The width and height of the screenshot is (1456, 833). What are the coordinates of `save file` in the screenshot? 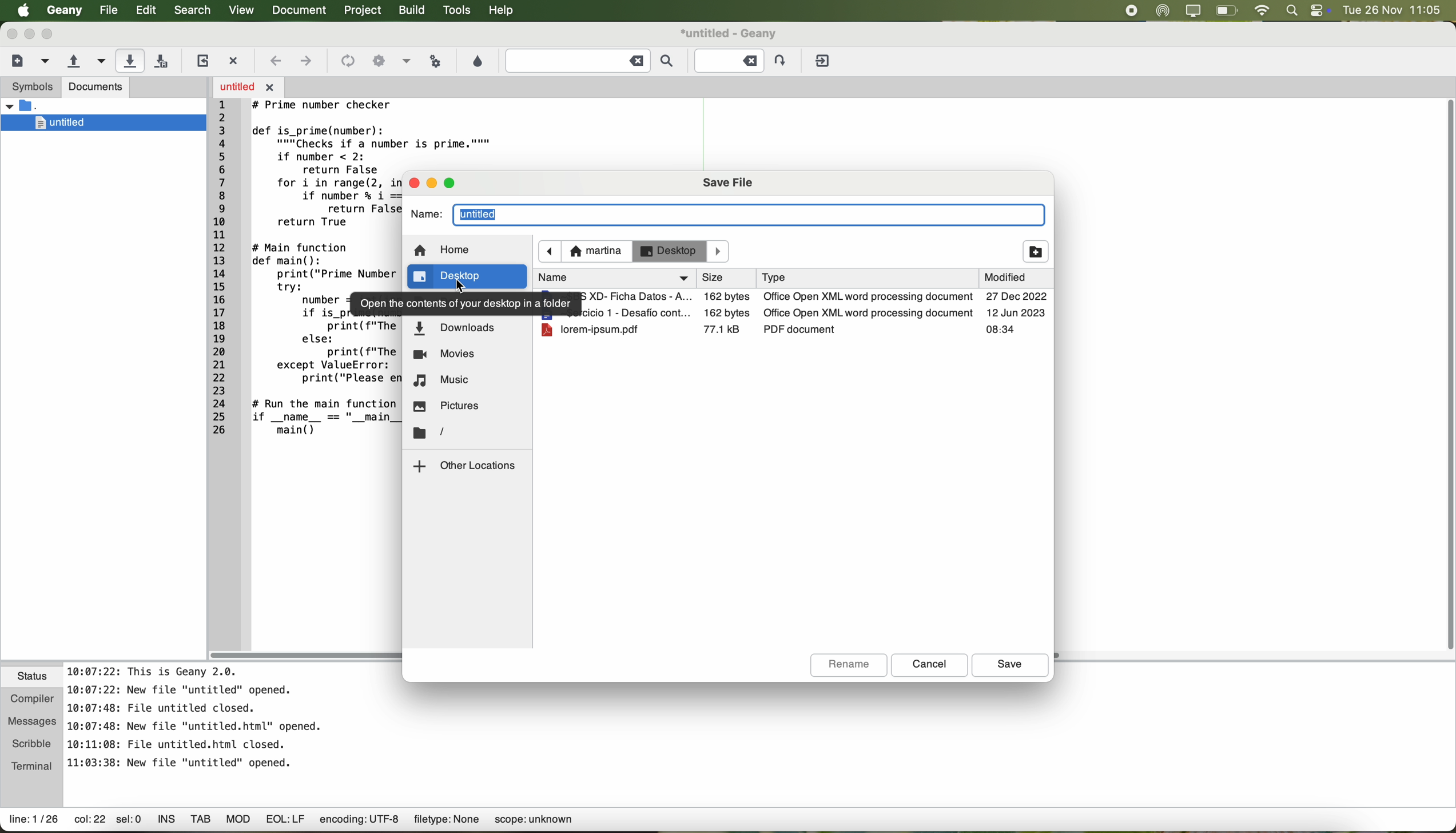 It's located at (727, 183).